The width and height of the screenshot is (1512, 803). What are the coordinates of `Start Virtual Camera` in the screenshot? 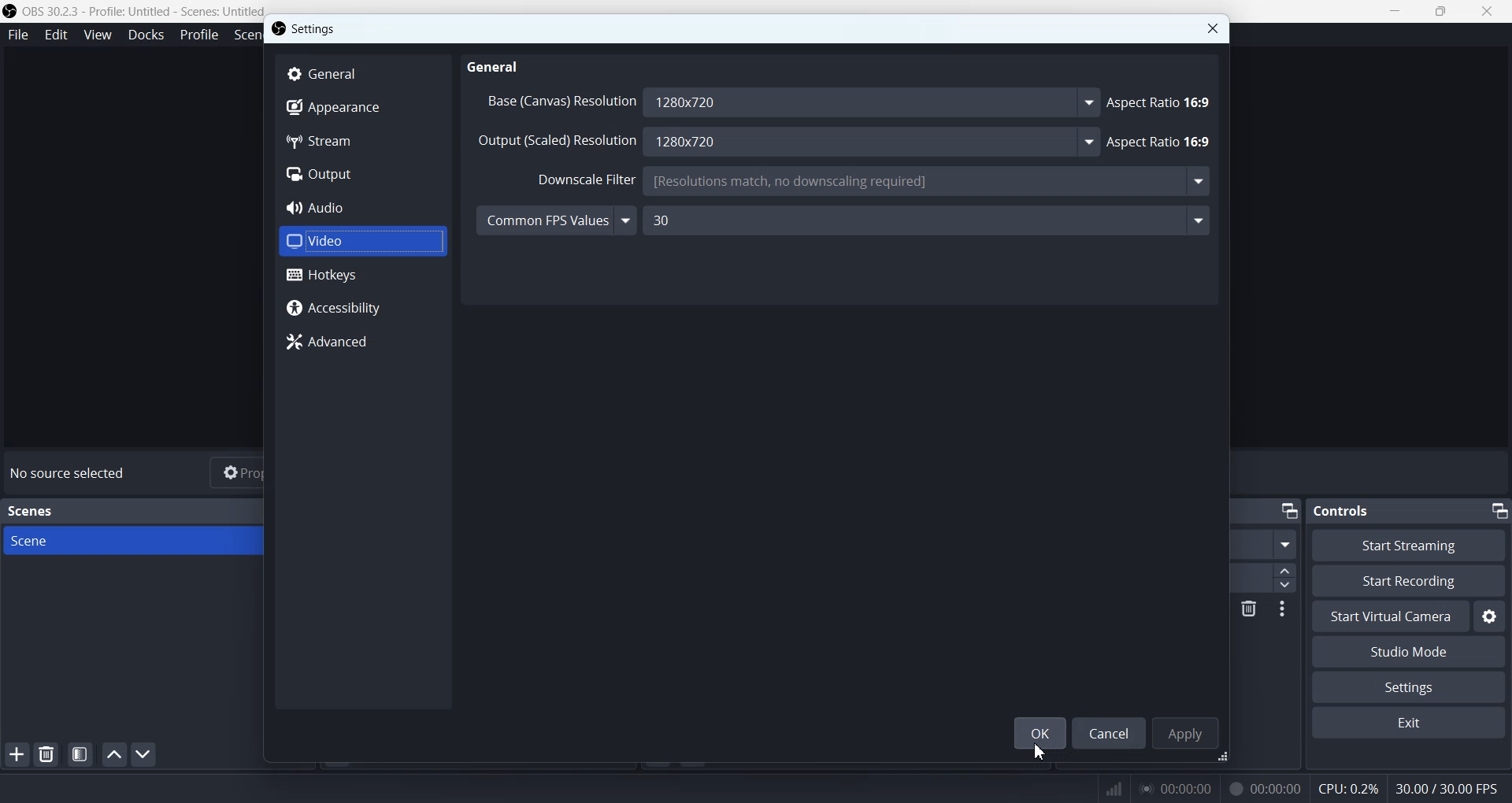 It's located at (1390, 616).